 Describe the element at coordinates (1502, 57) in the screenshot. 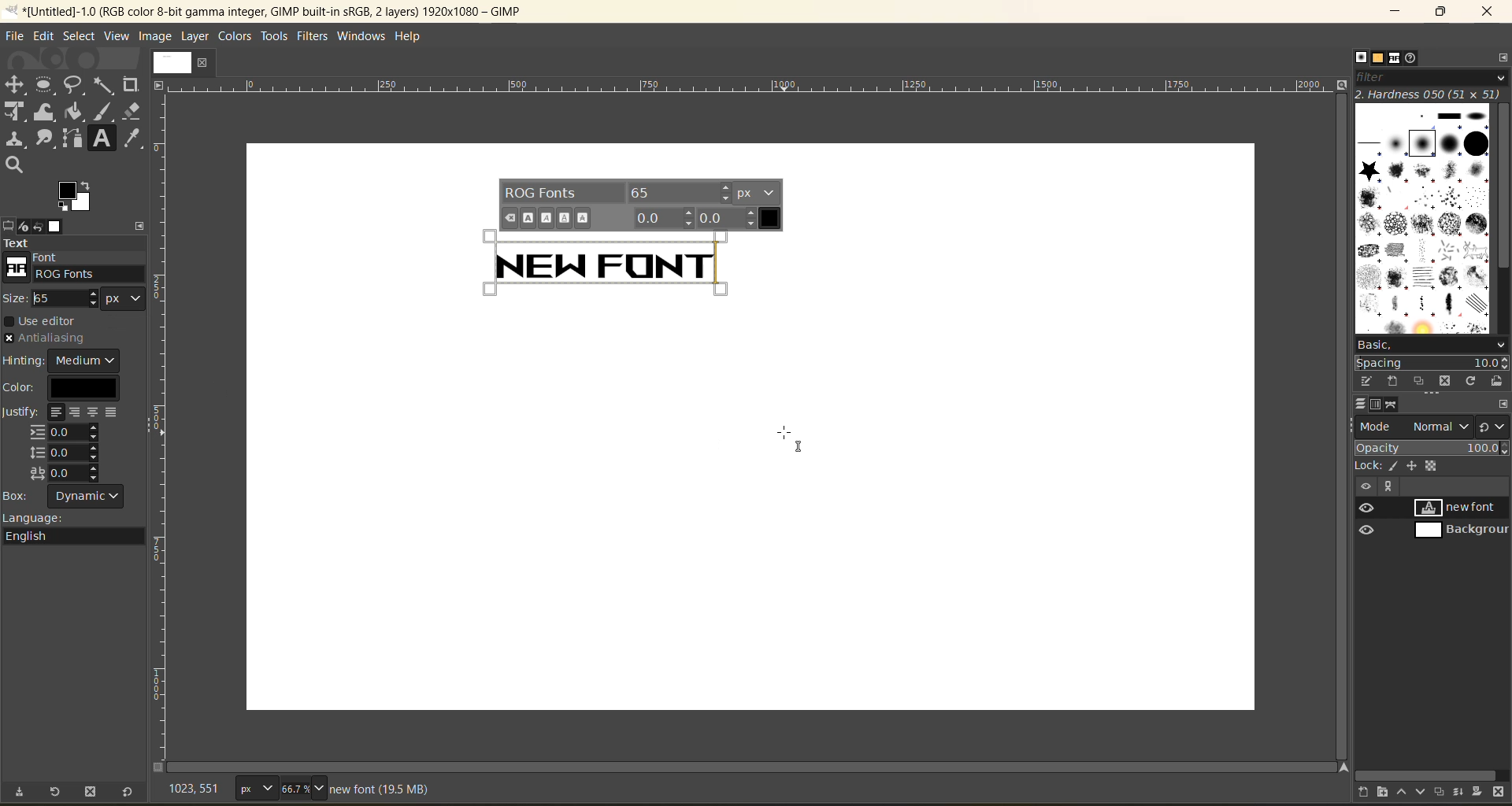

I see `configure` at that location.